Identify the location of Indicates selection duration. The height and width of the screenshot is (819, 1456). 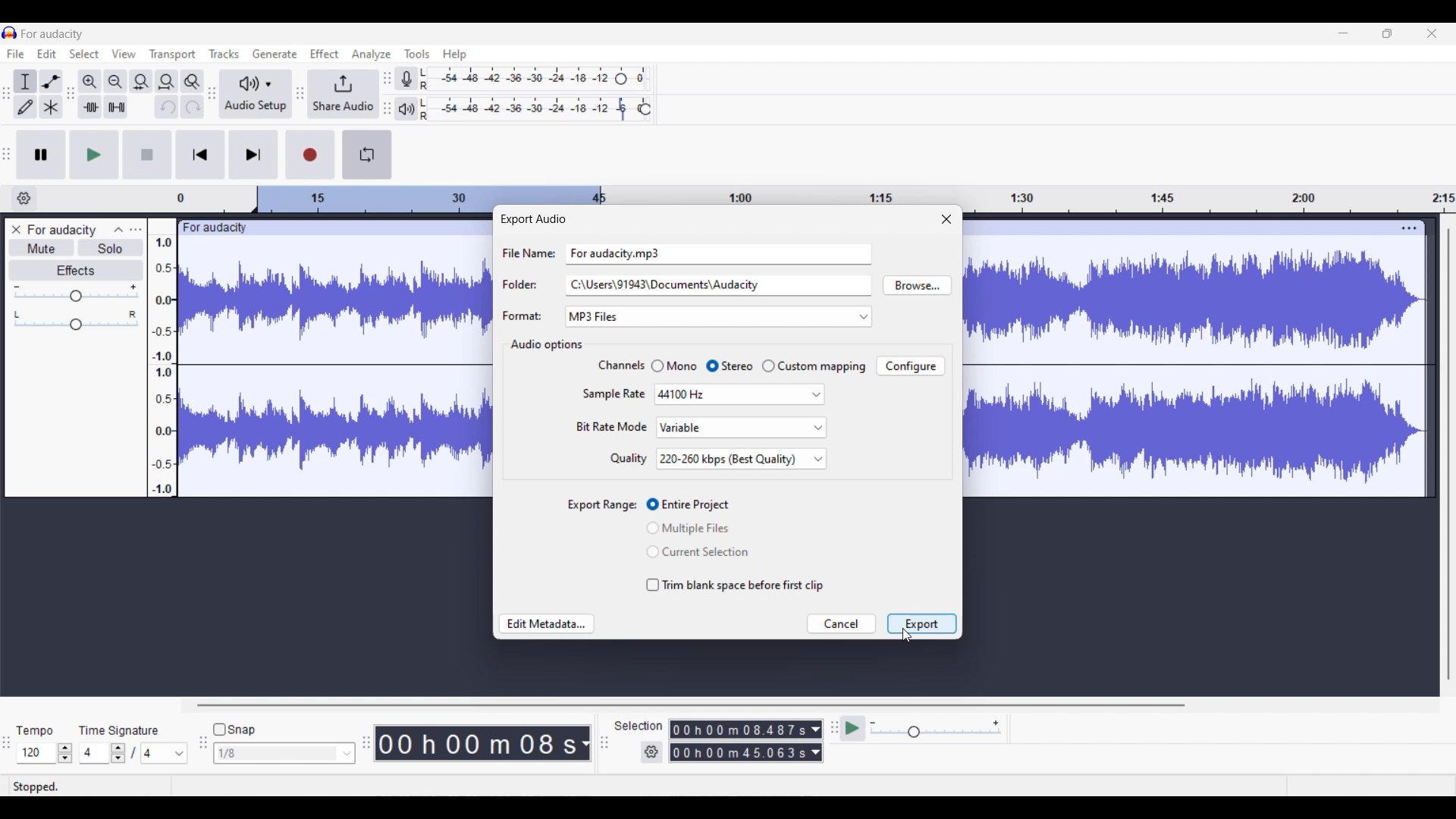
(639, 726).